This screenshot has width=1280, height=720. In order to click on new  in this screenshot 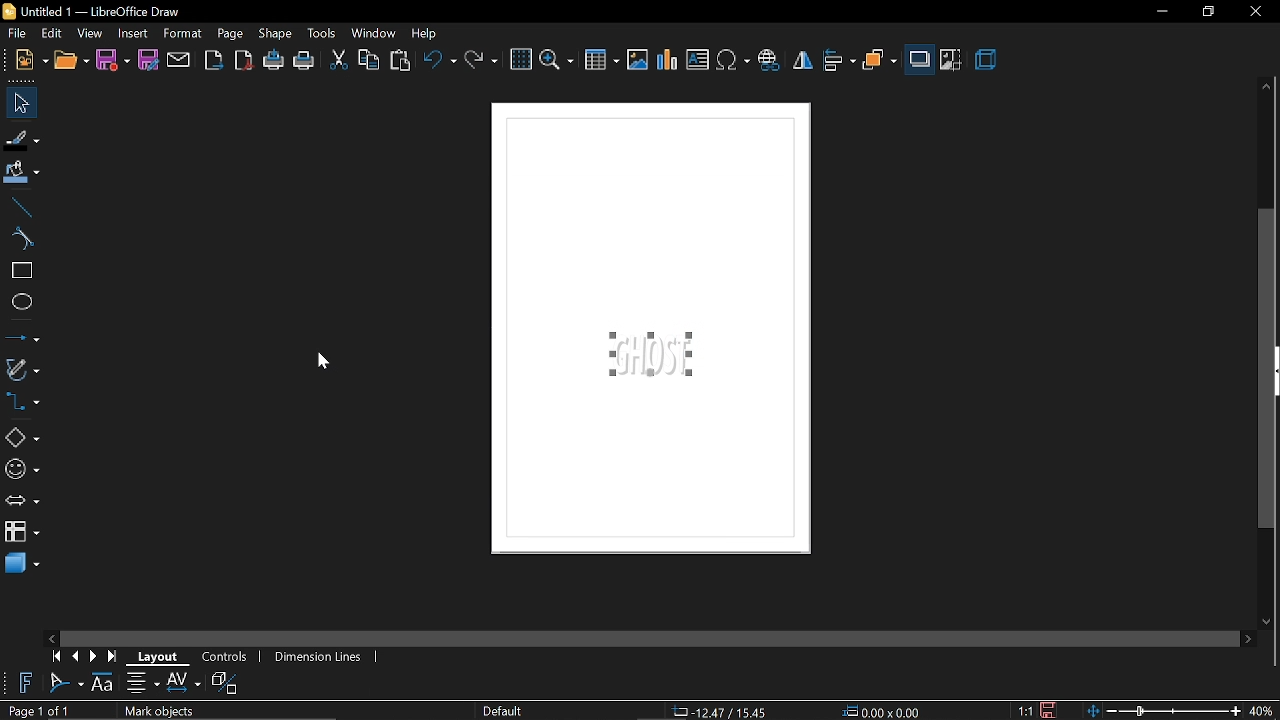, I will do `click(30, 59)`.